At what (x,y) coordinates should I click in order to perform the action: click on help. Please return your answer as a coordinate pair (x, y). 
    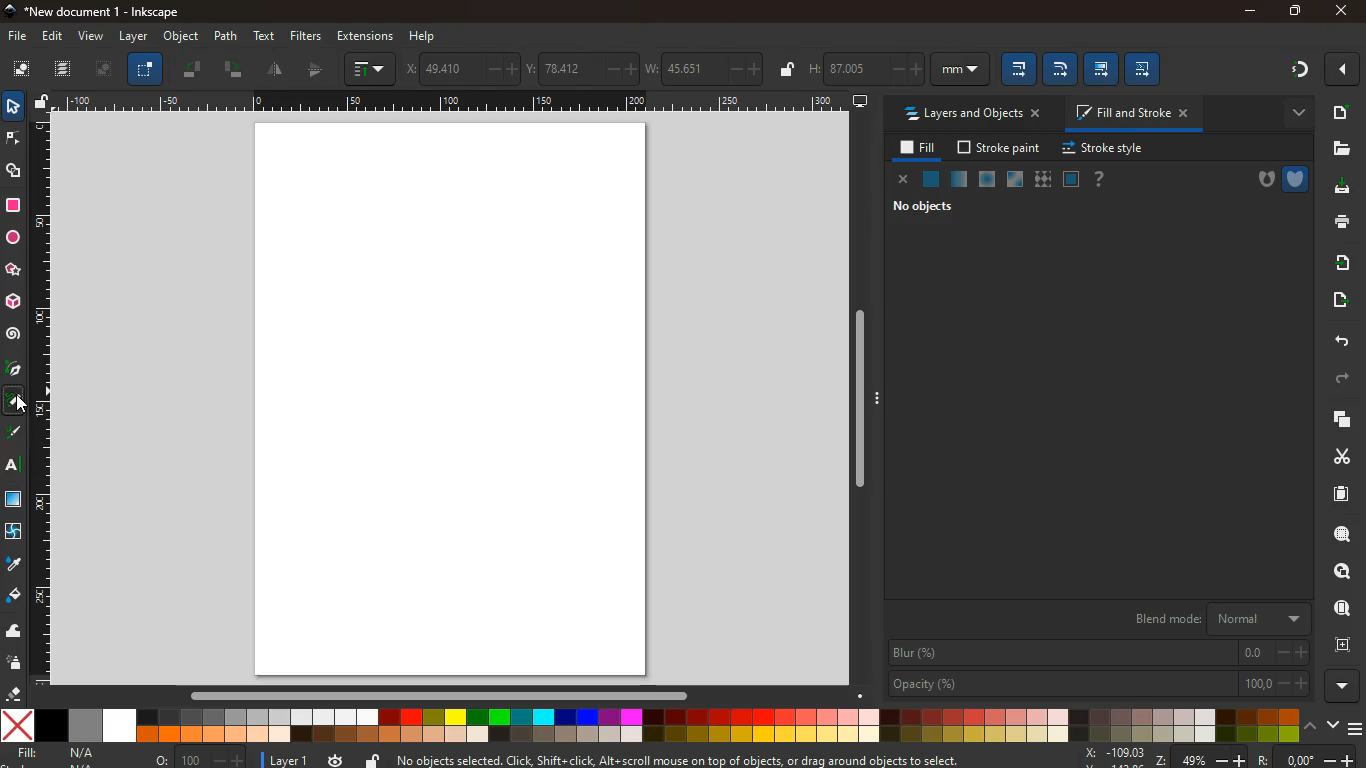
    Looking at the image, I should click on (423, 37).